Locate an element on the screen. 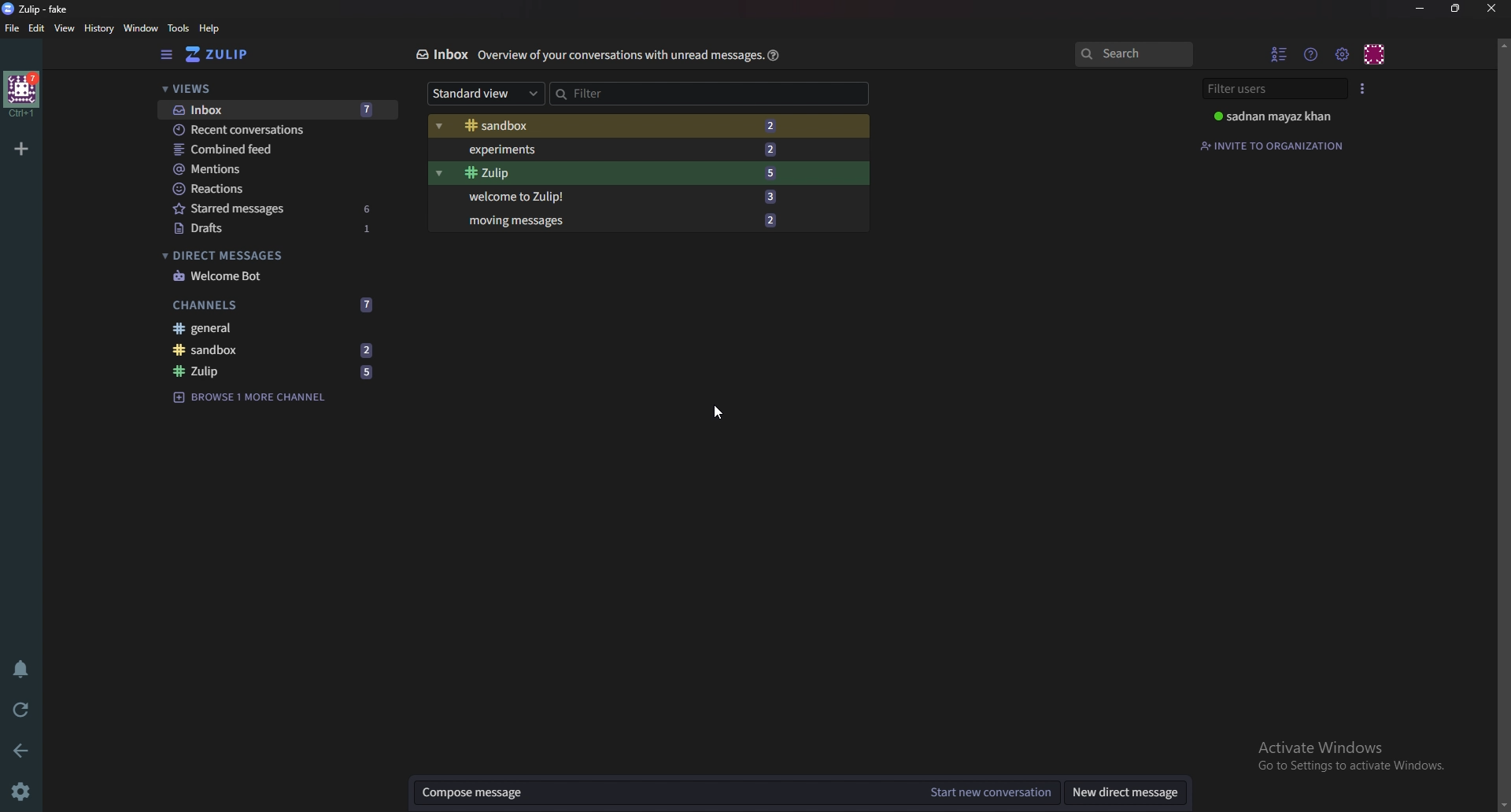  Channels 7 is located at coordinates (275, 305).